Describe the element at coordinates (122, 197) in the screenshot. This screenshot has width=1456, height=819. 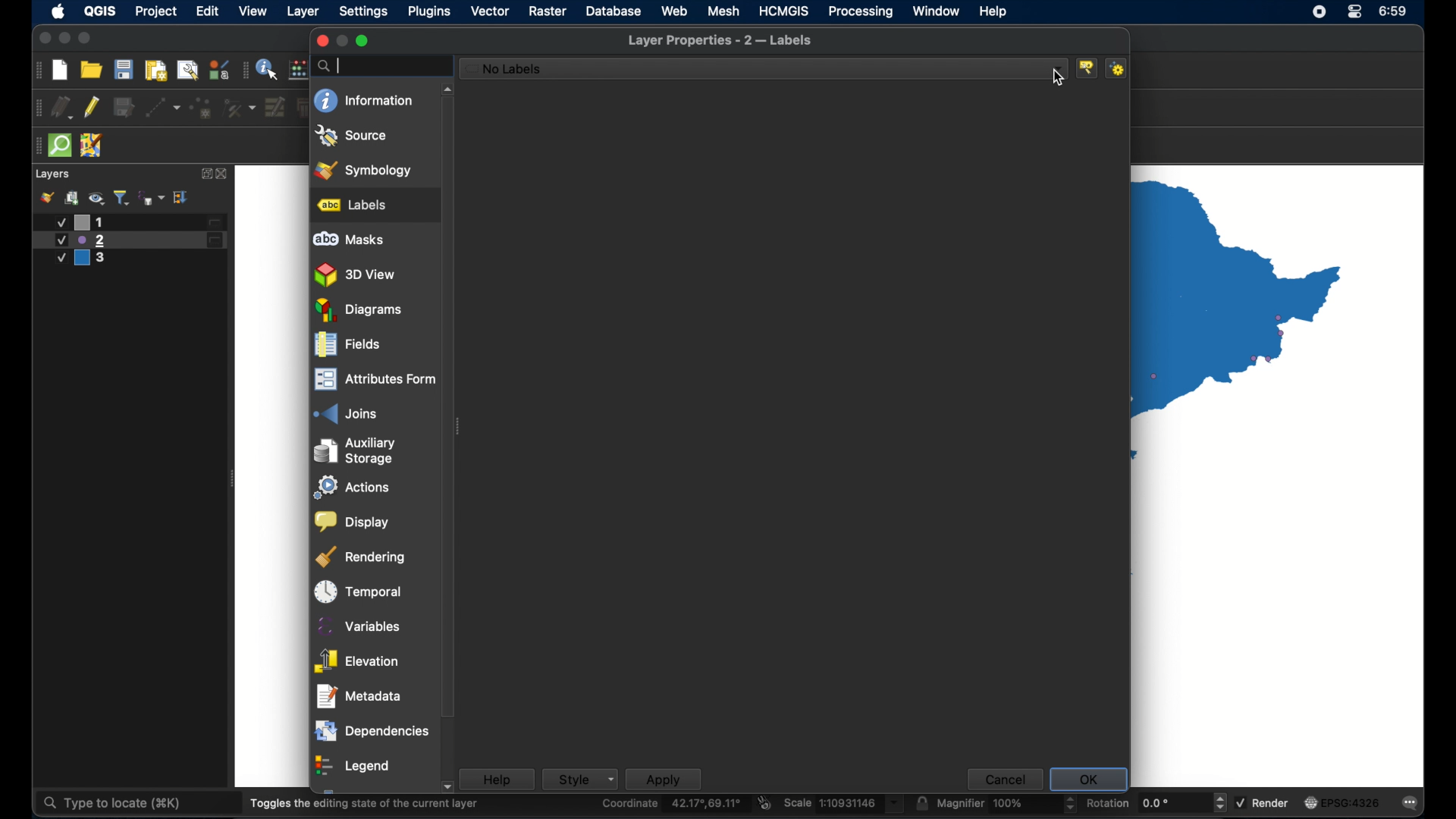
I see `filter  legend` at that location.